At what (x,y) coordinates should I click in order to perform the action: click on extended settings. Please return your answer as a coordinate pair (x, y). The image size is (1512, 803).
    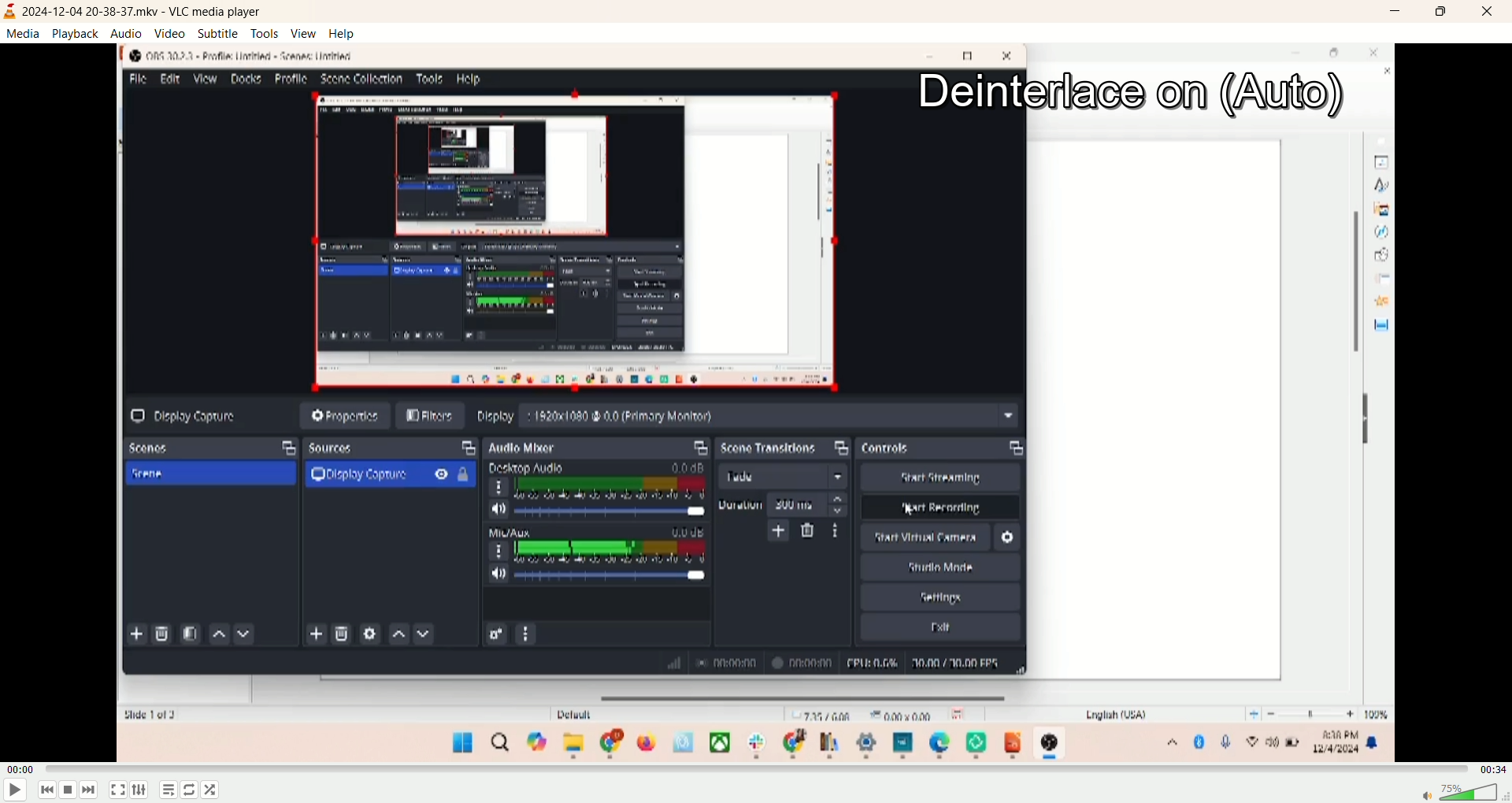
    Looking at the image, I should click on (140, 789).